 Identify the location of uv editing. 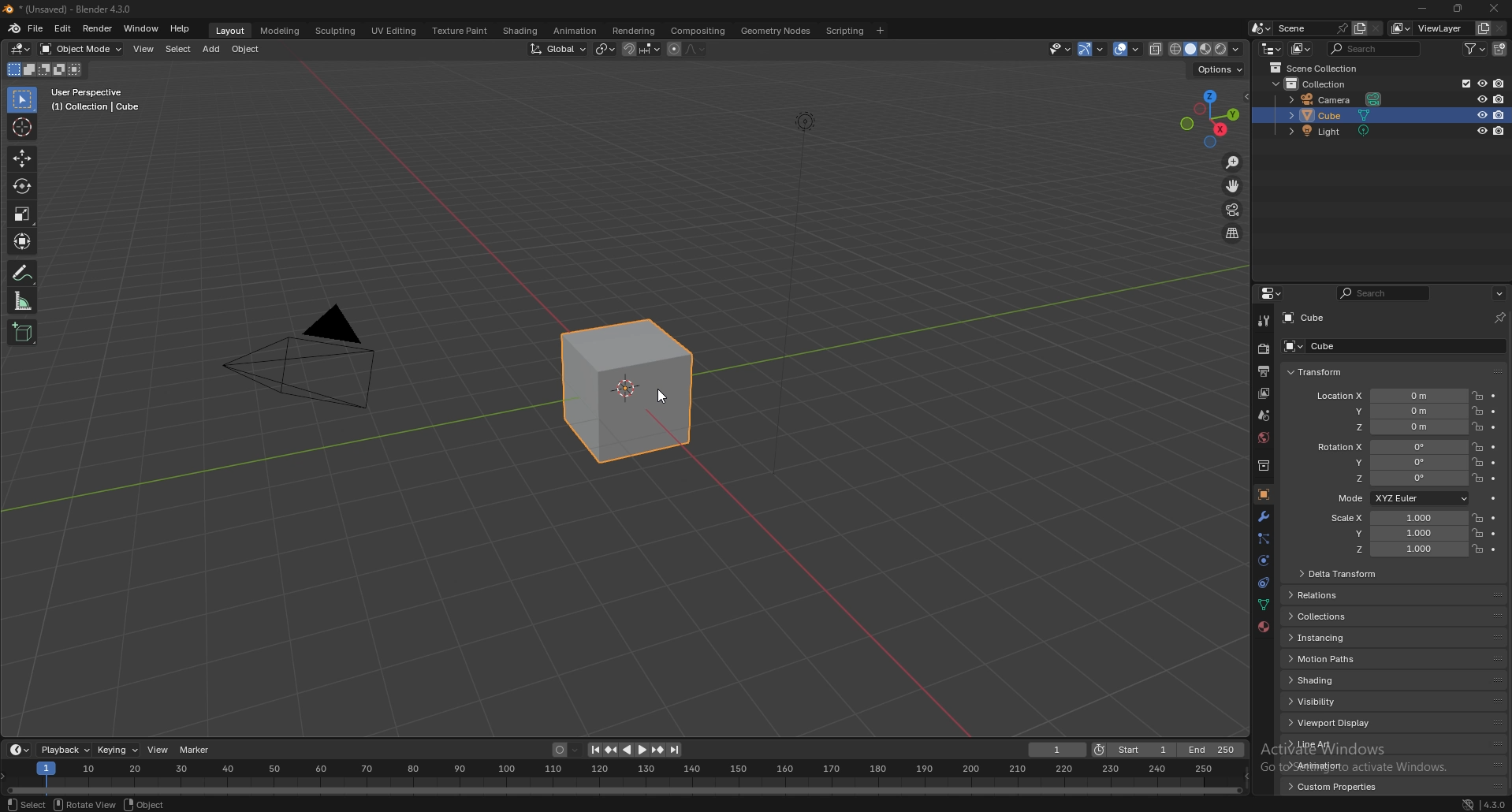
(394, 31).